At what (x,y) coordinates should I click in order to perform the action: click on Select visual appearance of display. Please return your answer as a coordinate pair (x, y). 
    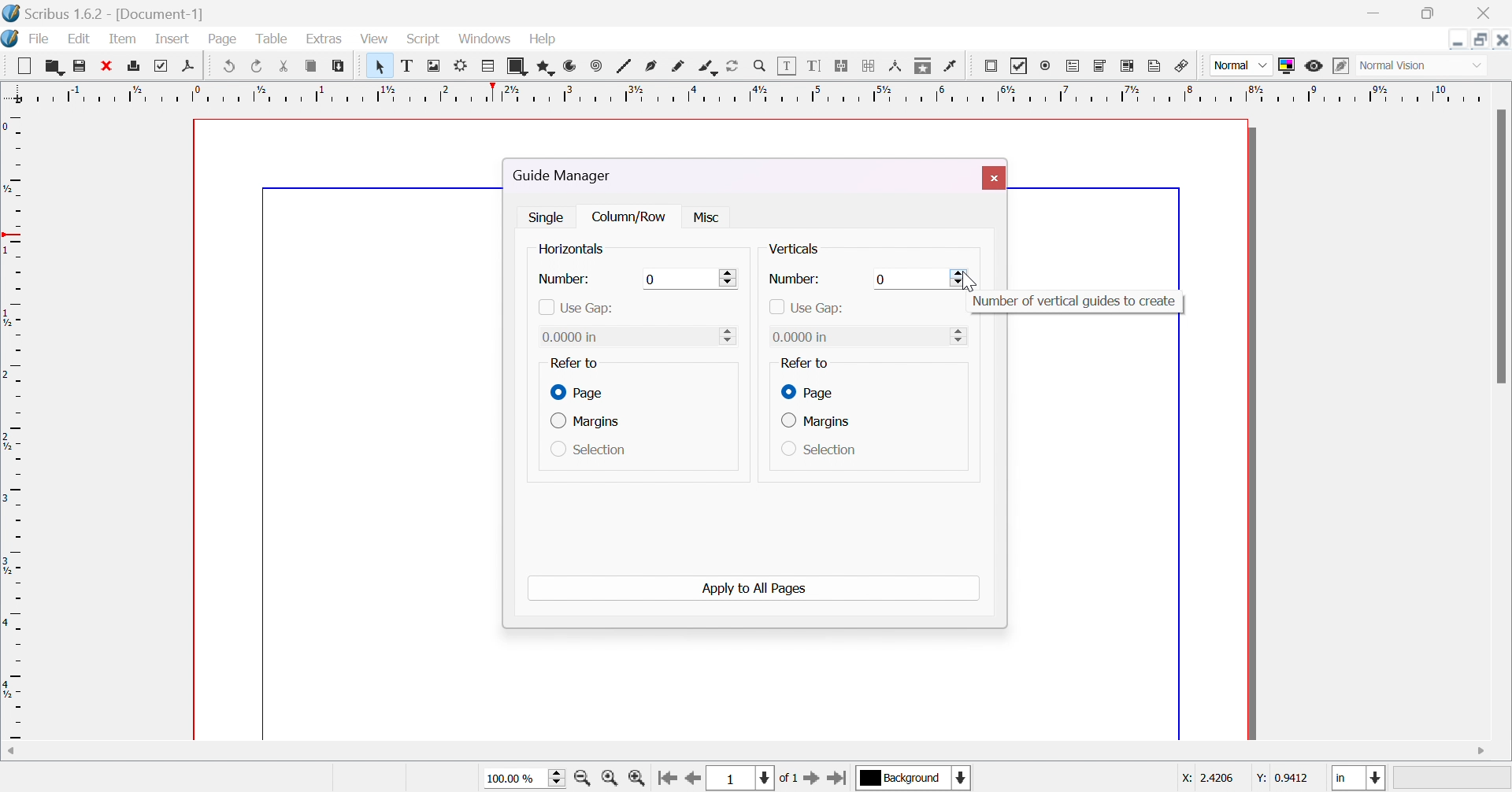
    Looking at the image, I should click on (1422, 67).